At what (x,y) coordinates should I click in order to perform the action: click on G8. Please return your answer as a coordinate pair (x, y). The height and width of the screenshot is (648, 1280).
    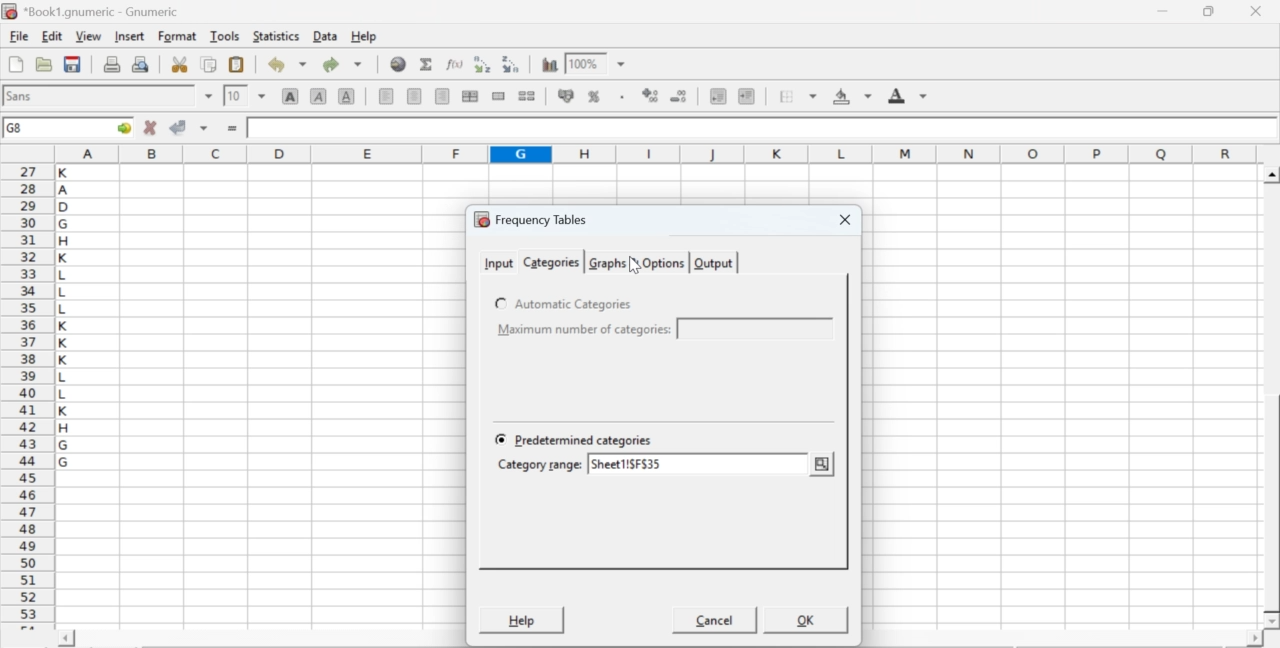
    Looking at the image, I should click on (17, 128).